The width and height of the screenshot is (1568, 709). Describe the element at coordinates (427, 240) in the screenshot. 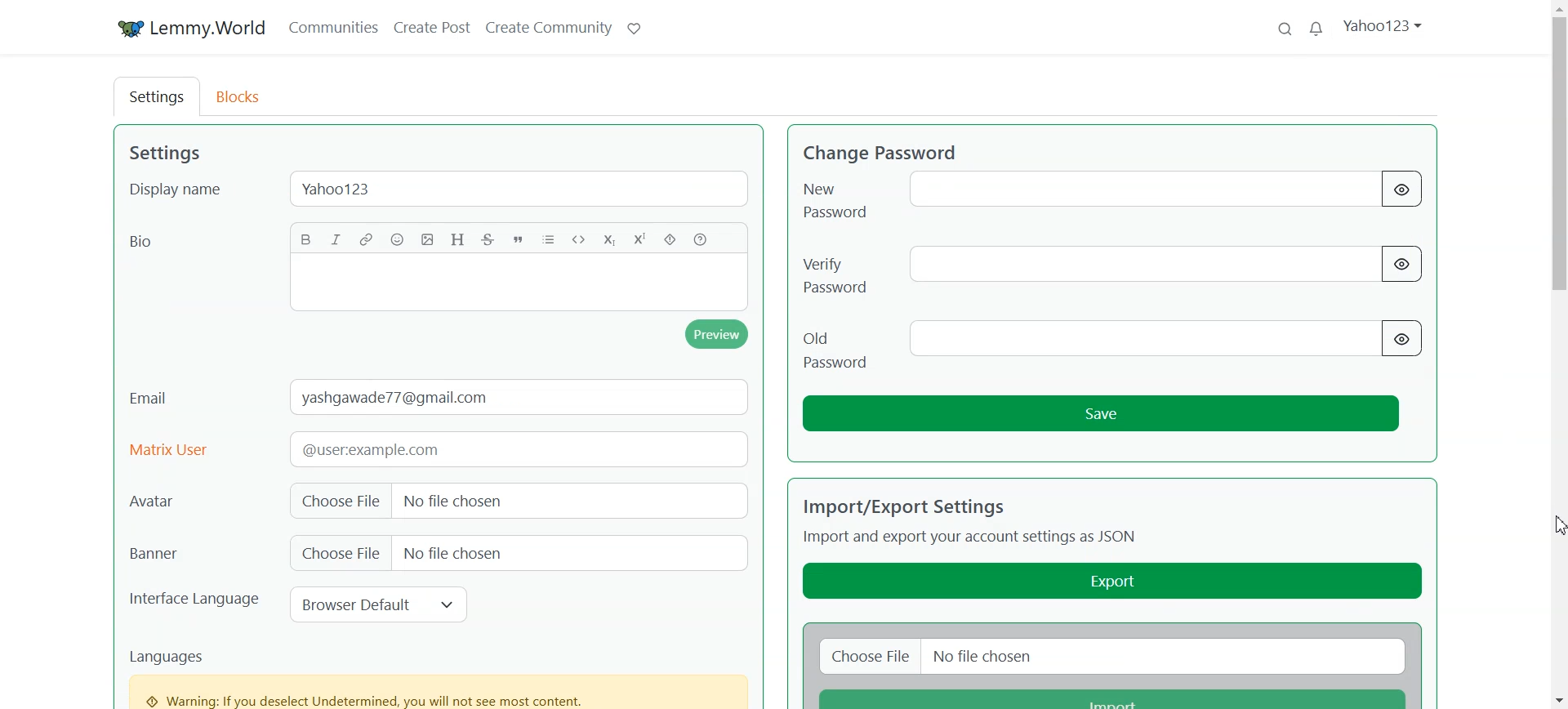

I see `Upload Image` at that location.